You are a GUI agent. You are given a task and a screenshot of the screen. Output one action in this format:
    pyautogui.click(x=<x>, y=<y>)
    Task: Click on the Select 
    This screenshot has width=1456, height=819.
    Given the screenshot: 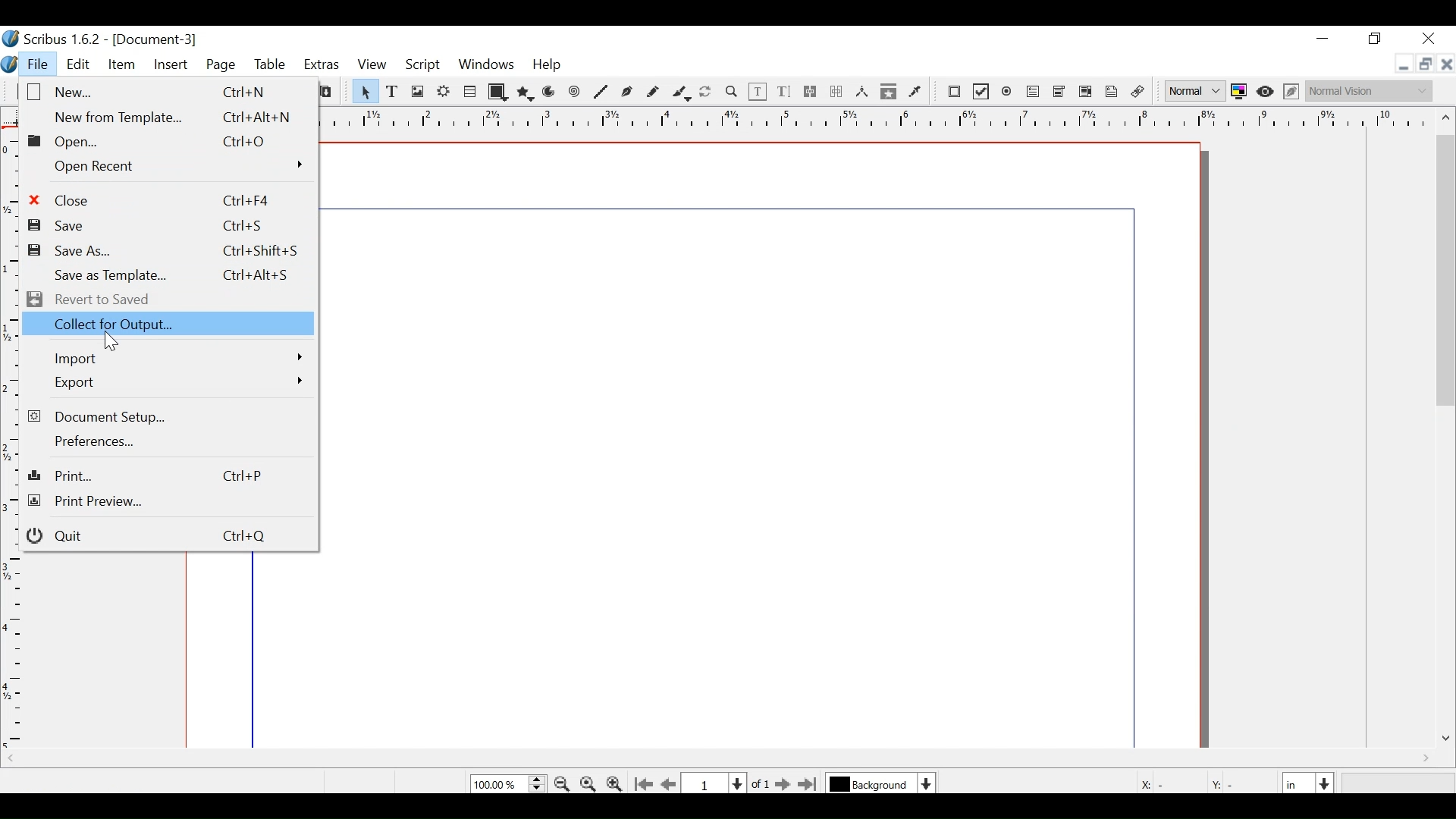 What is the action you would take?
    pyautogui.click(x=363, y=91)
    